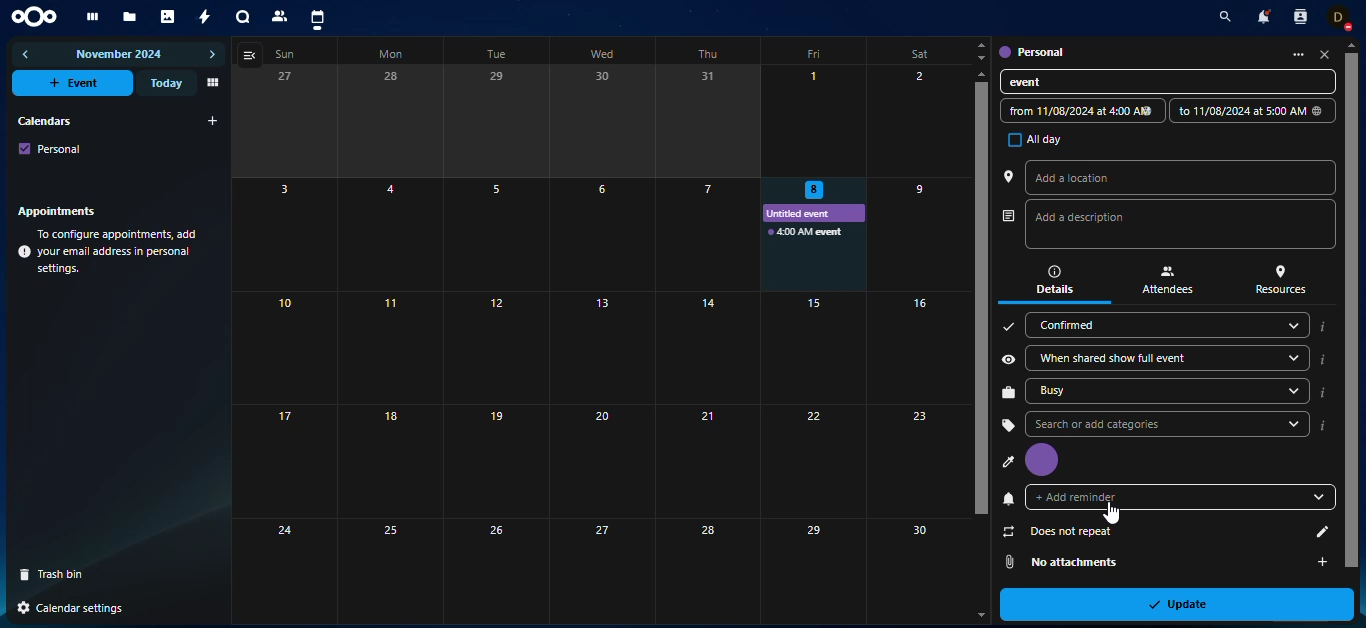 Image resolution: width=1366 pixels, height=628 pixels. I want to click on tue, so click(501, 54).